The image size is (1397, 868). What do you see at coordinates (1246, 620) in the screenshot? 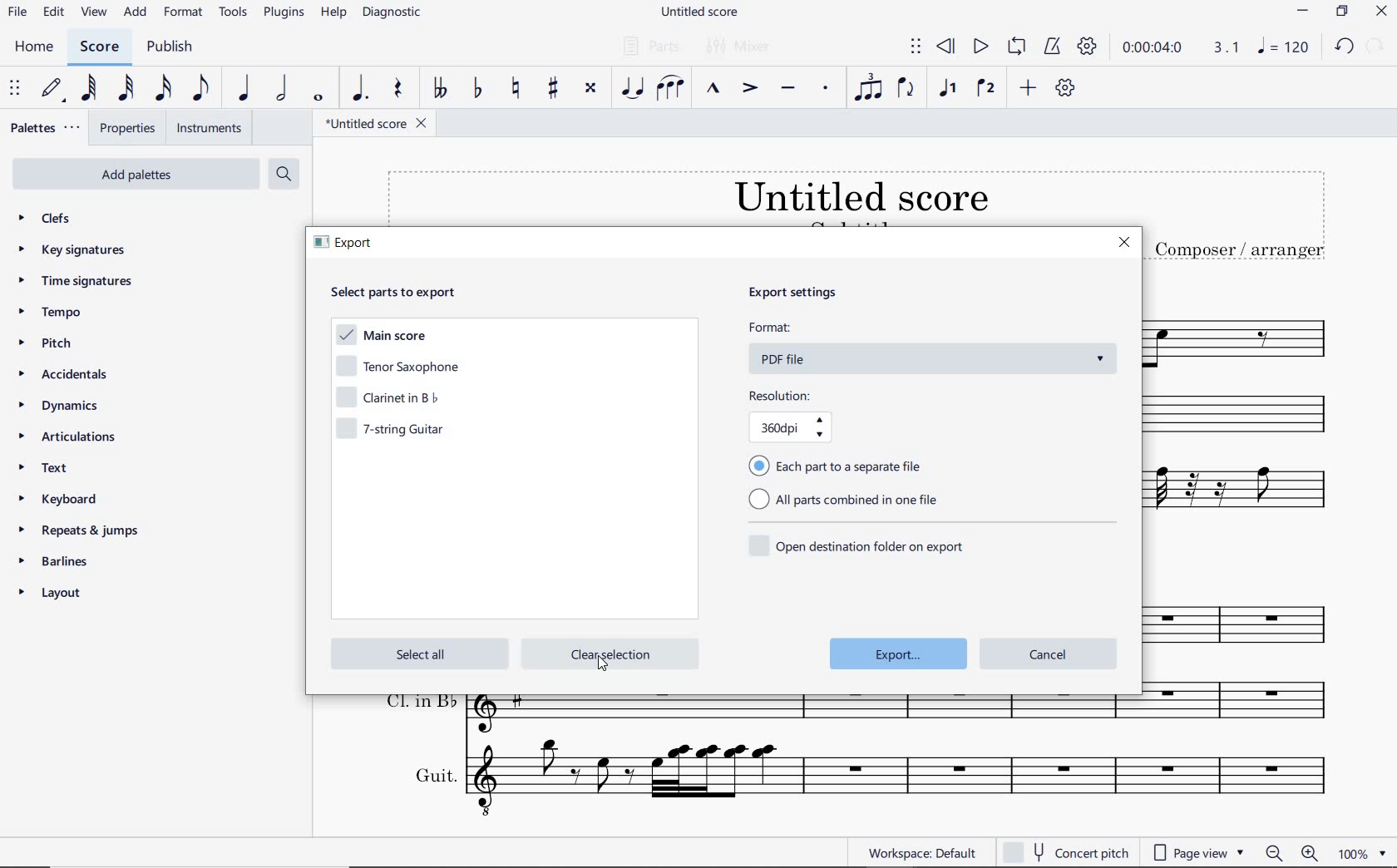
I see `T. Sax` at bounding box center [1246, 620].